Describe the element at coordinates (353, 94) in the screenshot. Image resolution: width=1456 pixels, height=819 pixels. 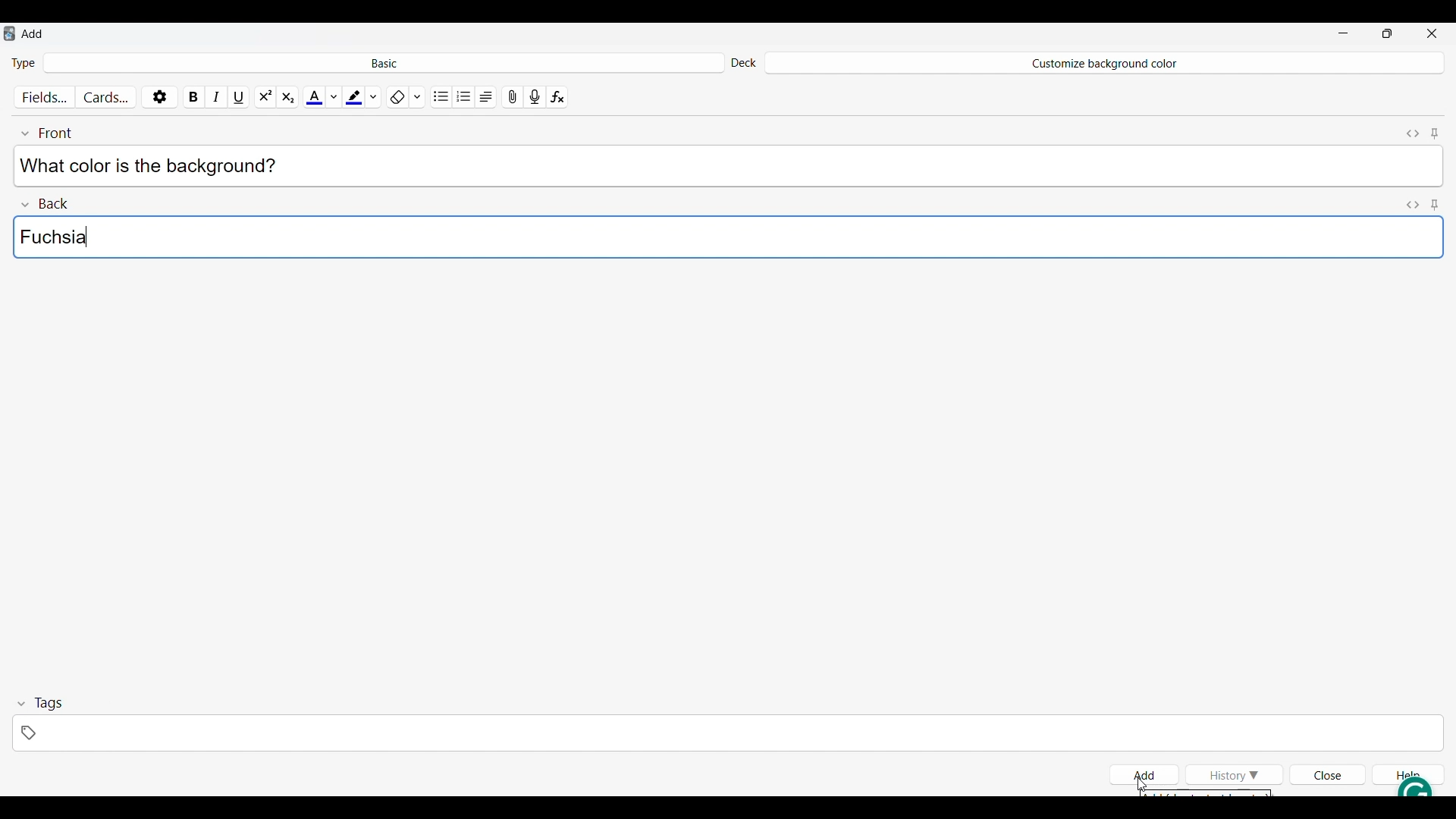
I see `Selected highlight color` at that location.